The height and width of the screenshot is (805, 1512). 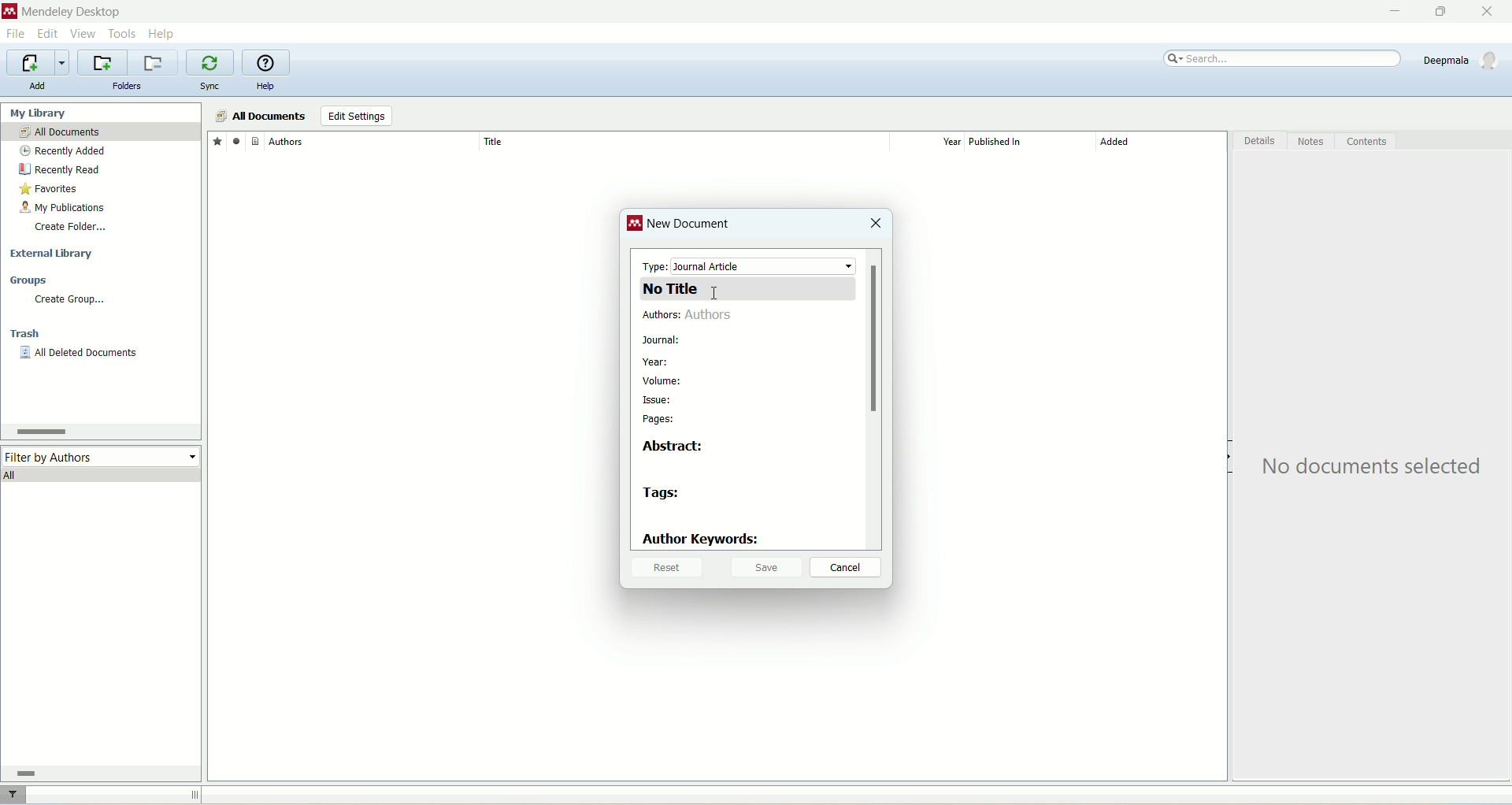 I want to click on details, so click(x=1261, y=143).